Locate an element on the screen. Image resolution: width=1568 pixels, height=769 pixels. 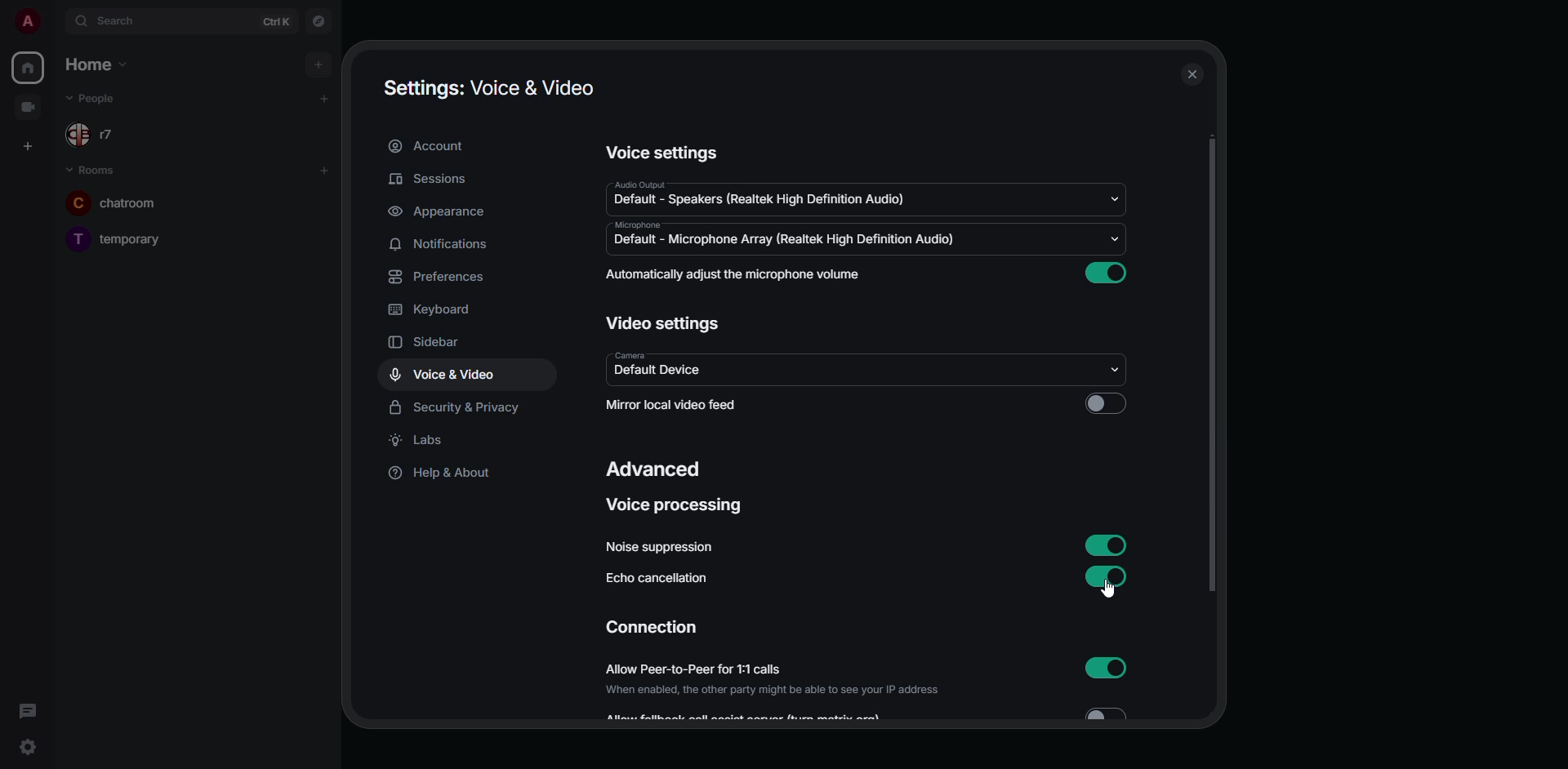
profile is located at coordinates (26, 24).